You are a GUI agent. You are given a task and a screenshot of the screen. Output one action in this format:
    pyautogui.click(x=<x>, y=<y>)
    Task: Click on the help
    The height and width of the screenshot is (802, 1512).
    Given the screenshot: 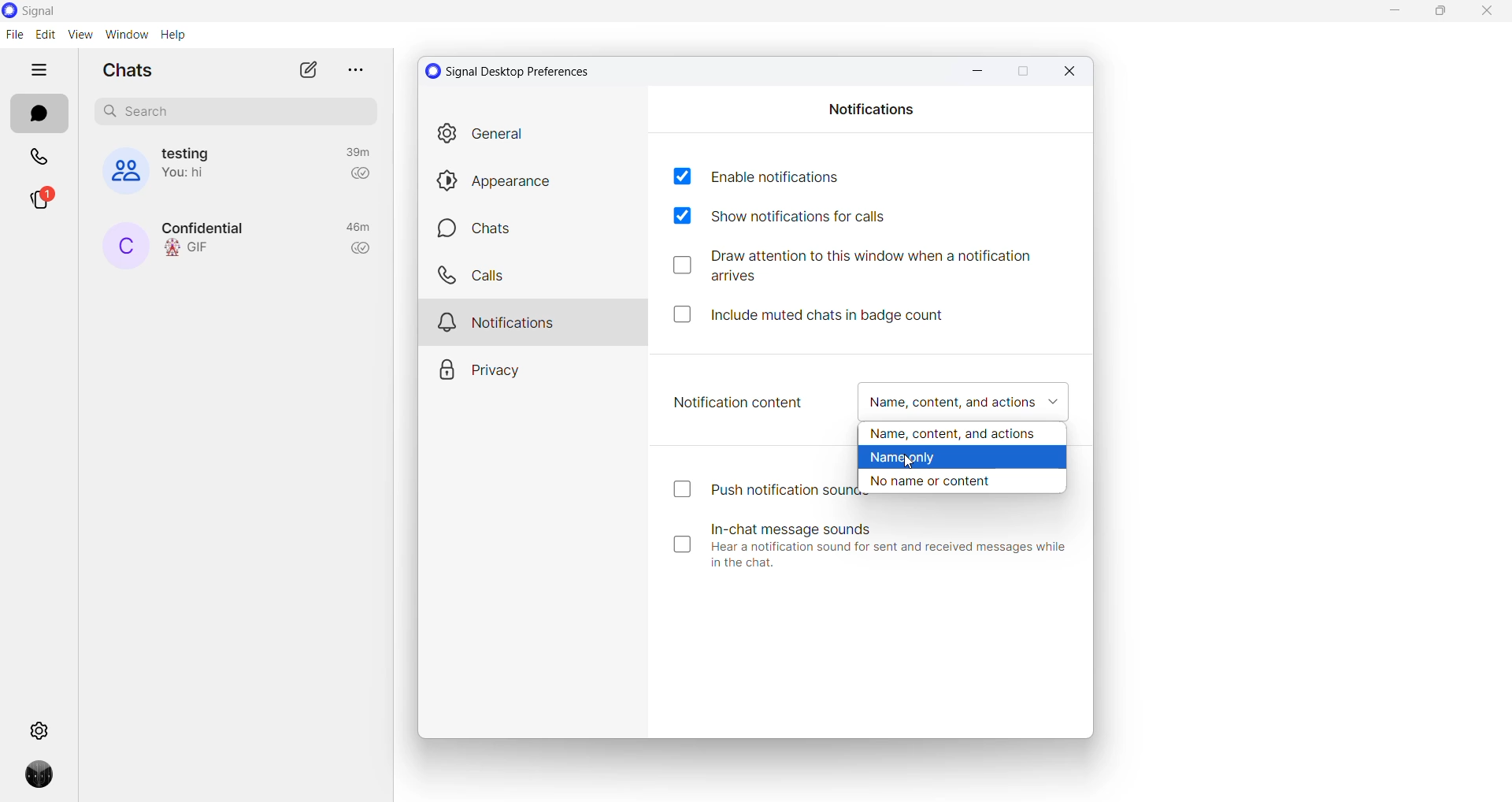 What is the action you would take?
    pyautogui.click(x=172, y=35)
    